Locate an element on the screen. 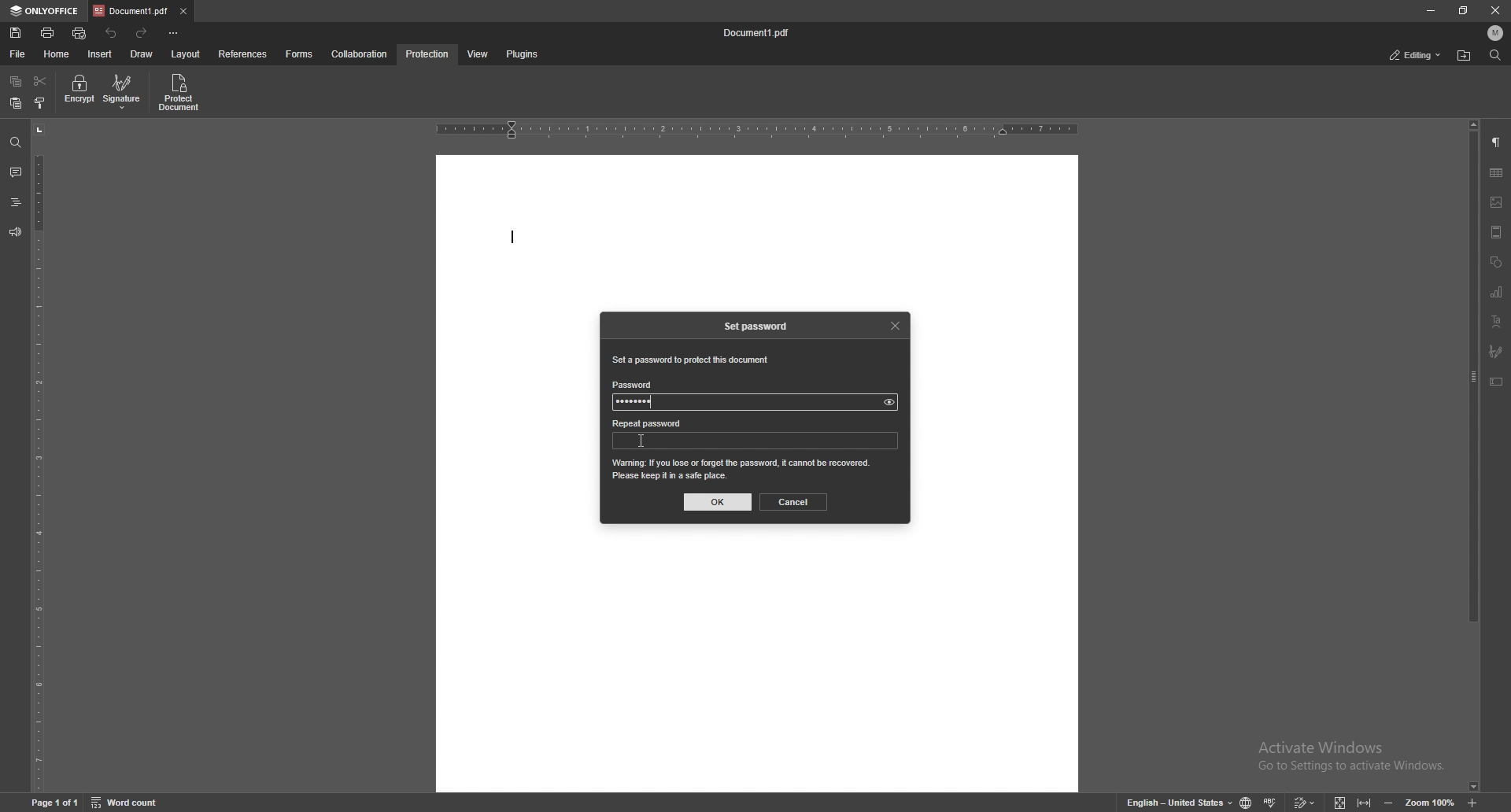  draw is located at coordinates (142, 54).